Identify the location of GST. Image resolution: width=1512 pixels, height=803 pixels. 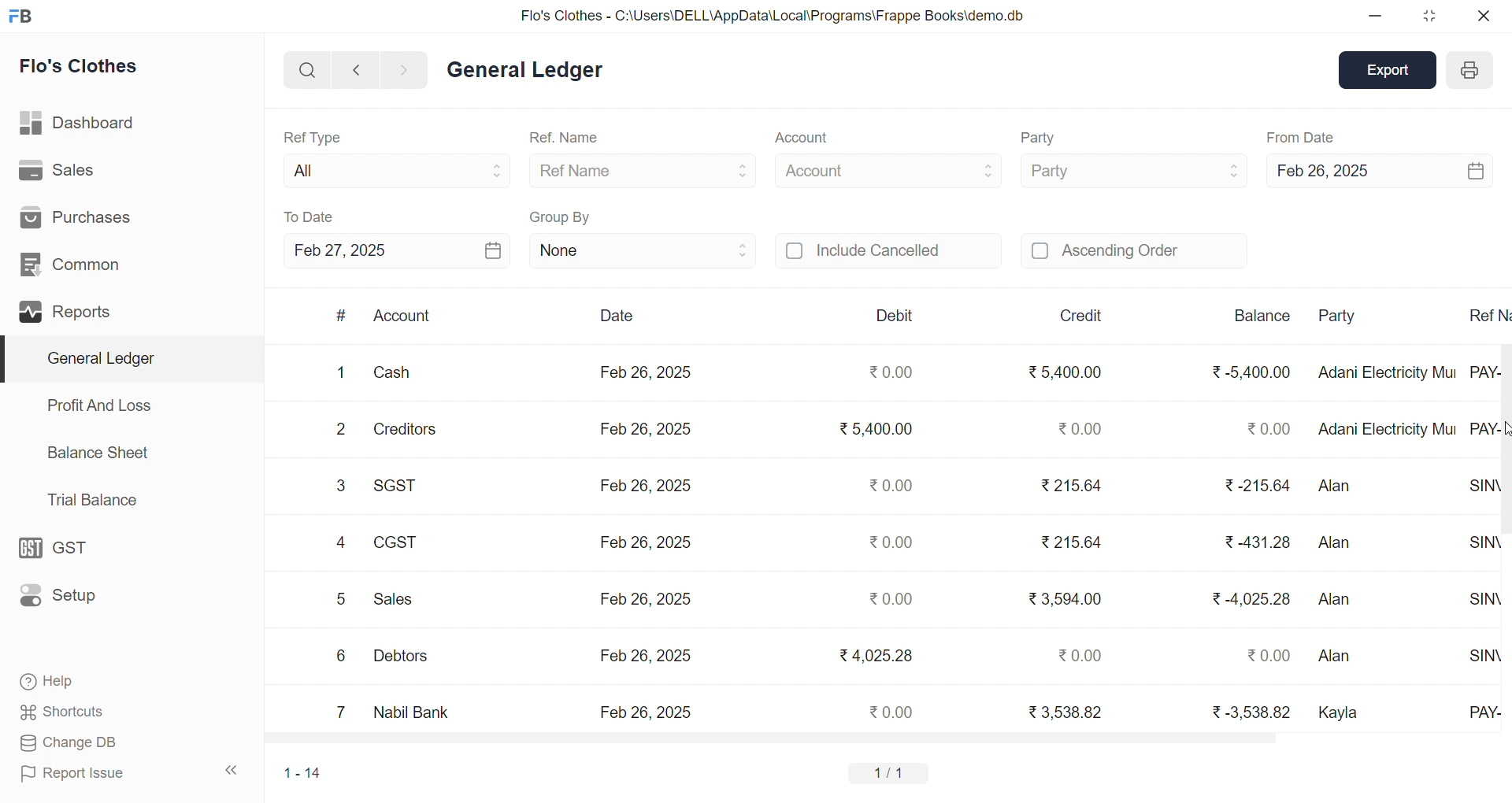
(61, 544).